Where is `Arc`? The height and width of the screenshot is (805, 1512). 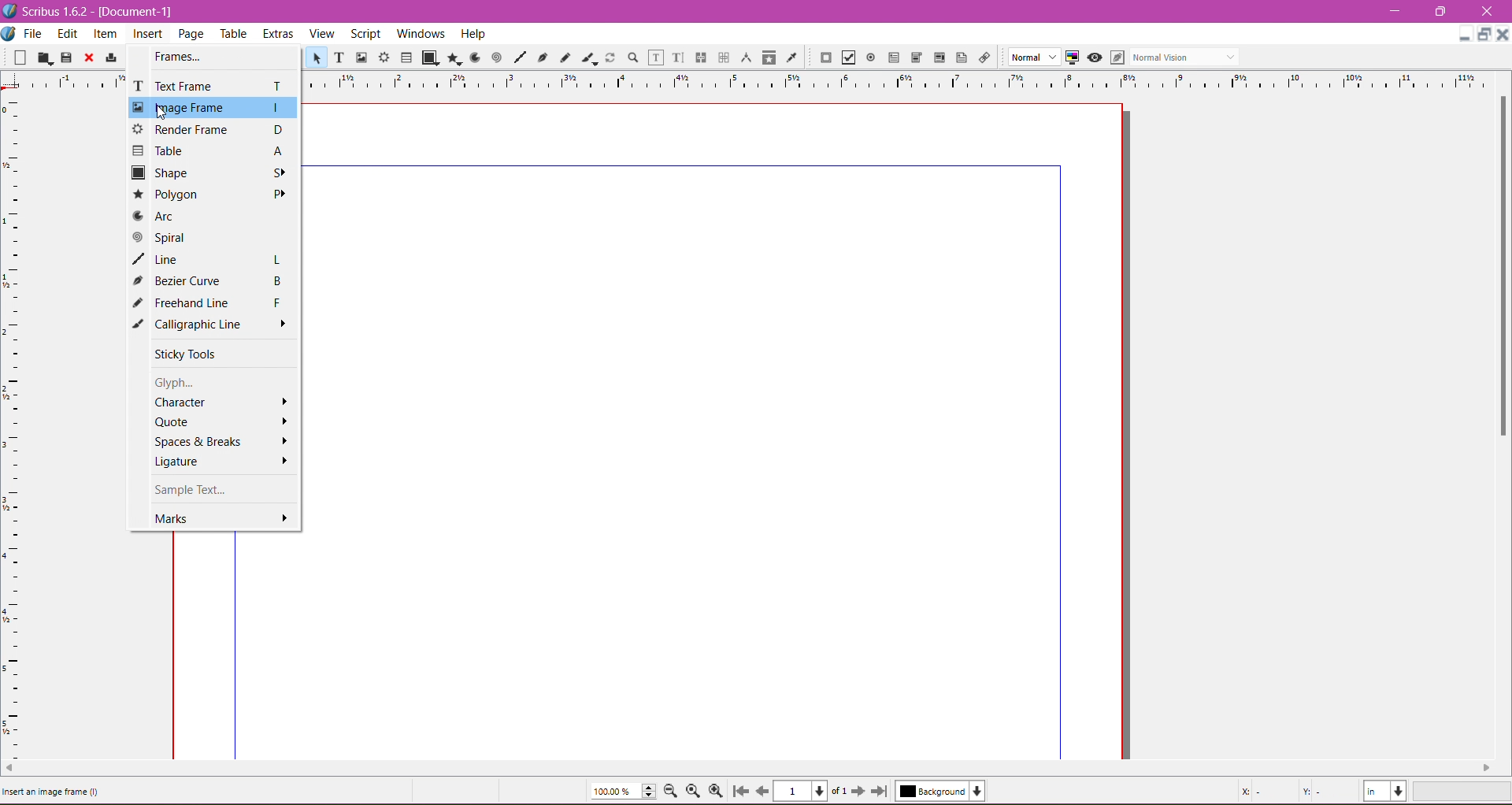 Arc is located at coordinates (473, 57).